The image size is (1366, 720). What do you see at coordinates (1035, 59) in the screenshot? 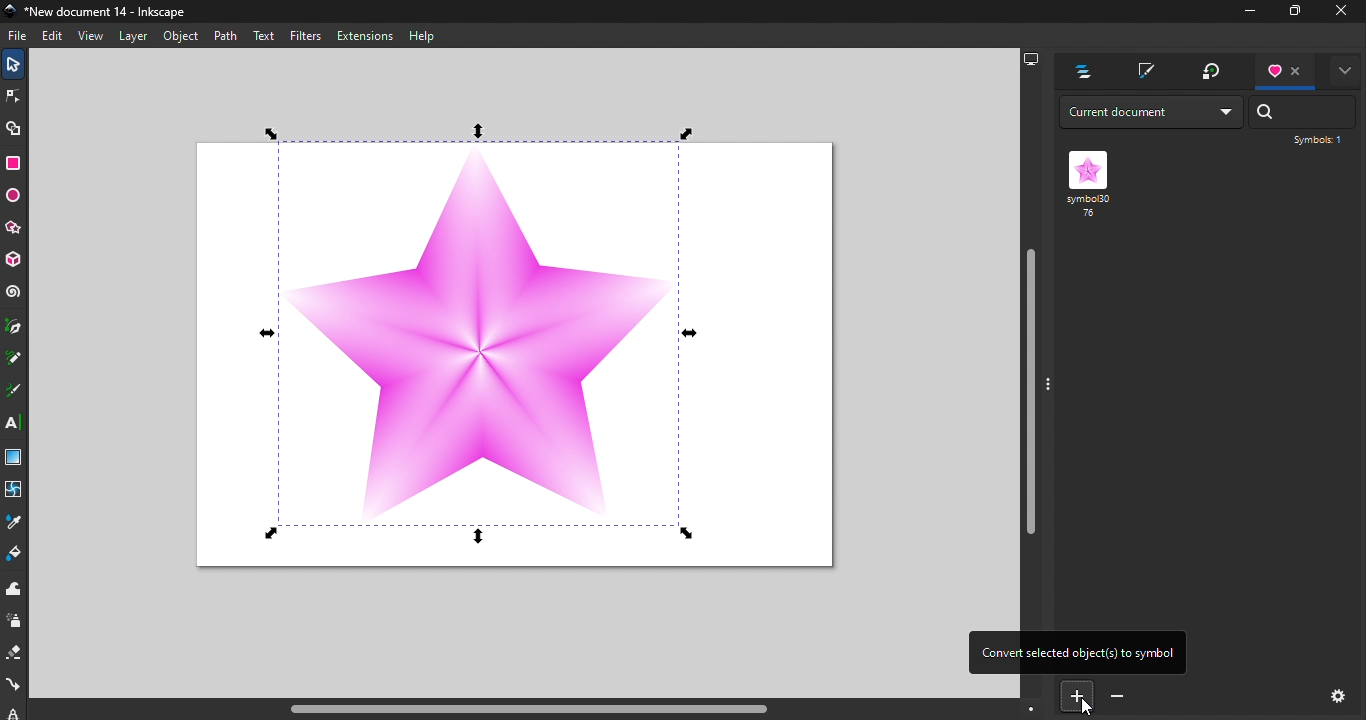
I see `Display options` at bounding box center [1035, 59].